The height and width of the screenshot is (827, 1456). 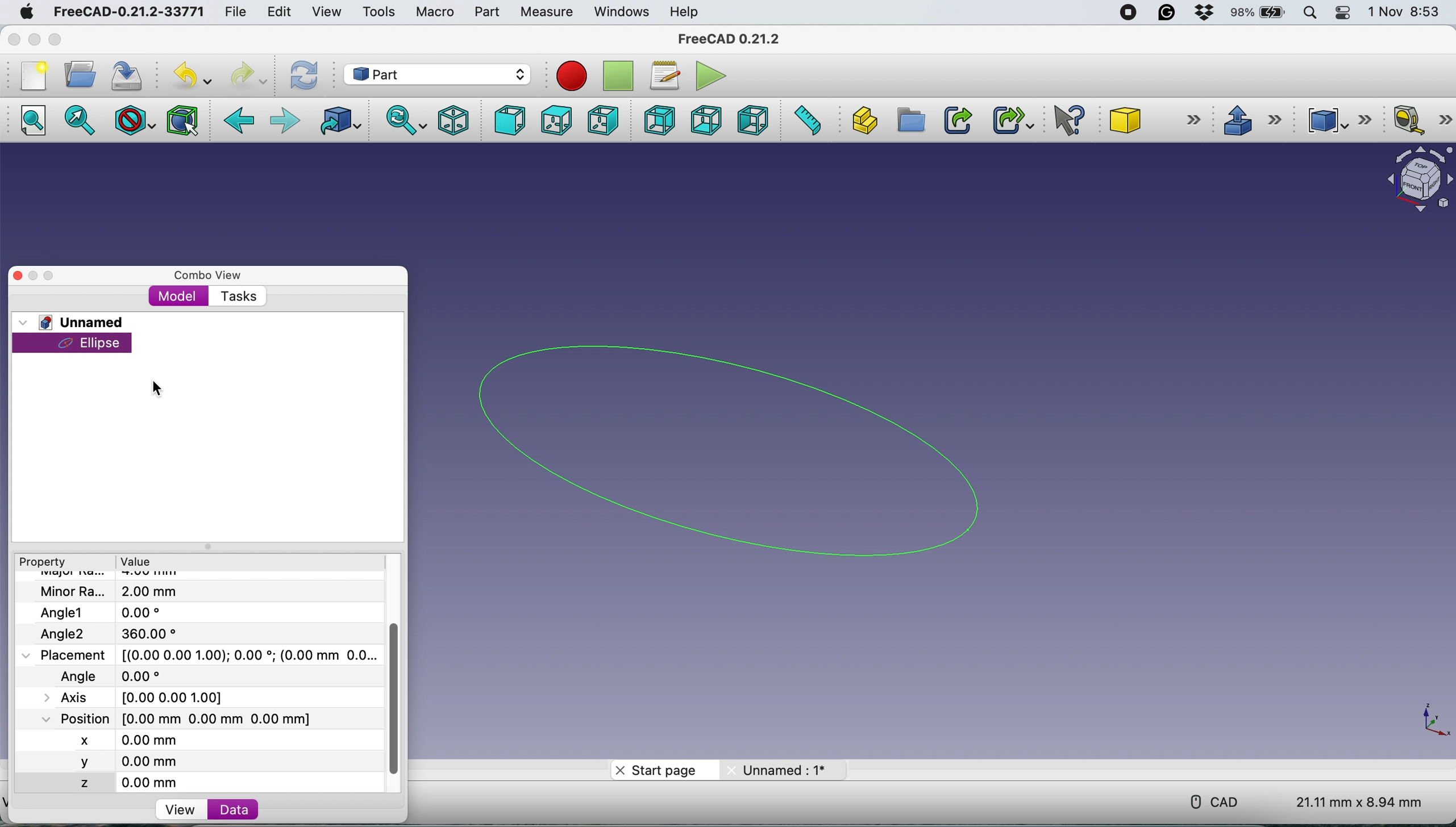 What do you see at coordinates (546, 13) in the screenshot?
I see `measure` at bounding box center [546, 13].